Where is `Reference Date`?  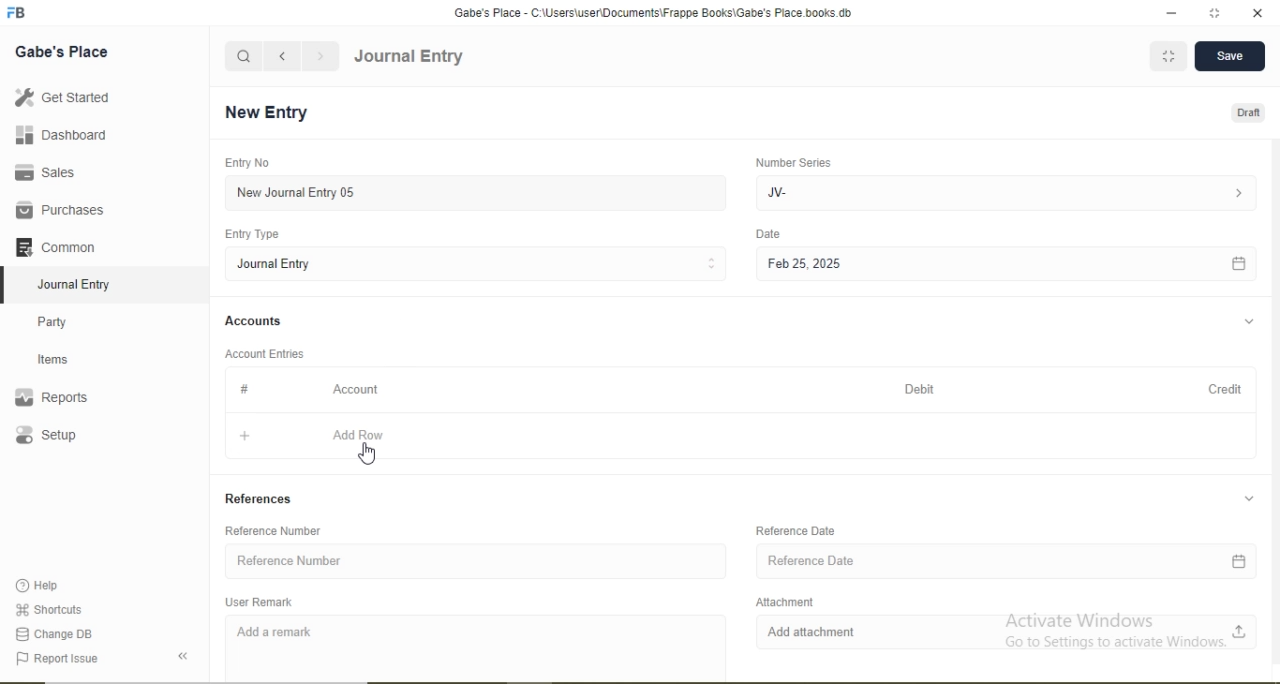
Reference Date is located at coordinates (796, 531).